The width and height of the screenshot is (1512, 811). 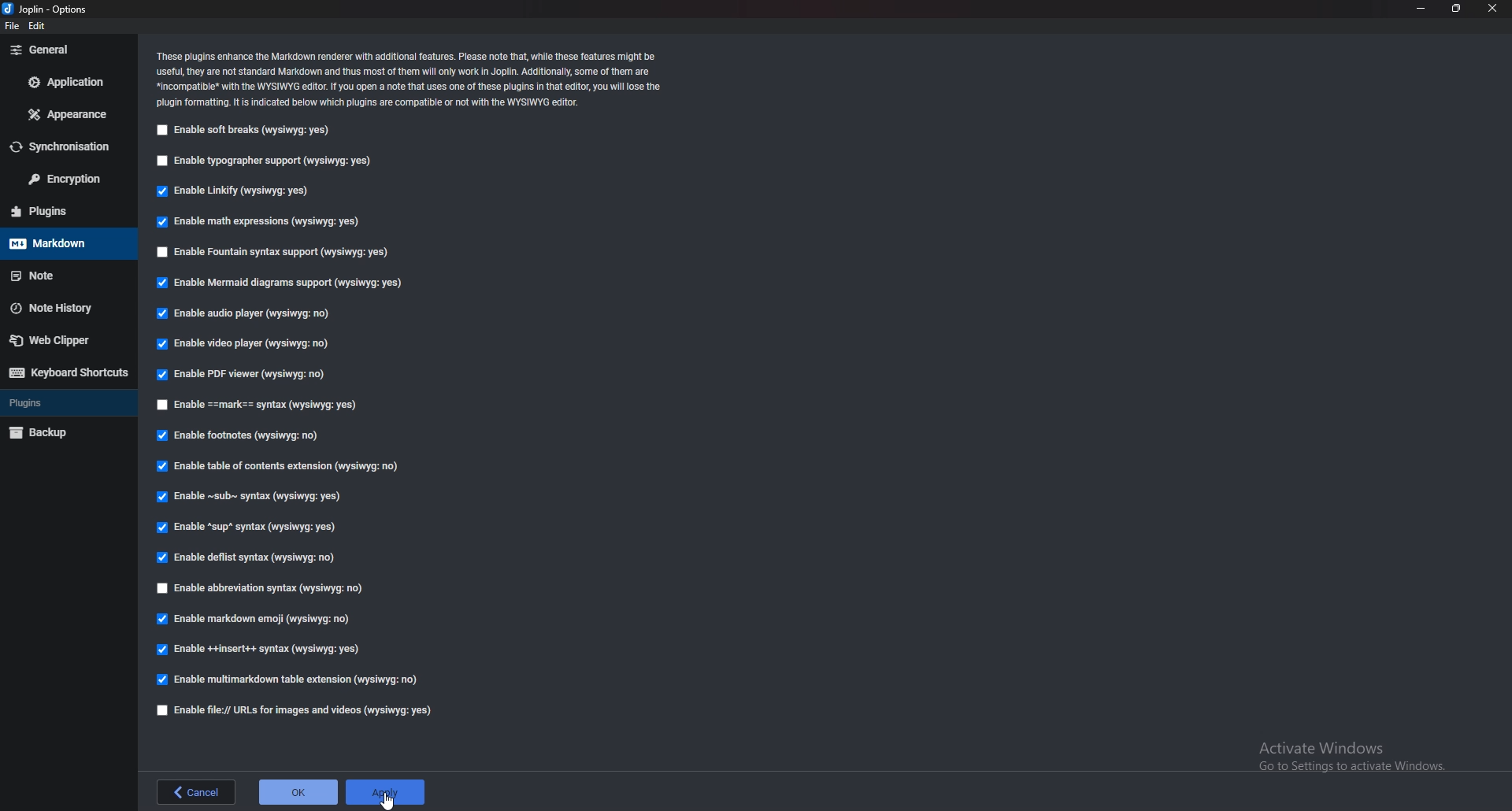 I want to click on enable mermaid diagrams support, so click(x=280, y=283).